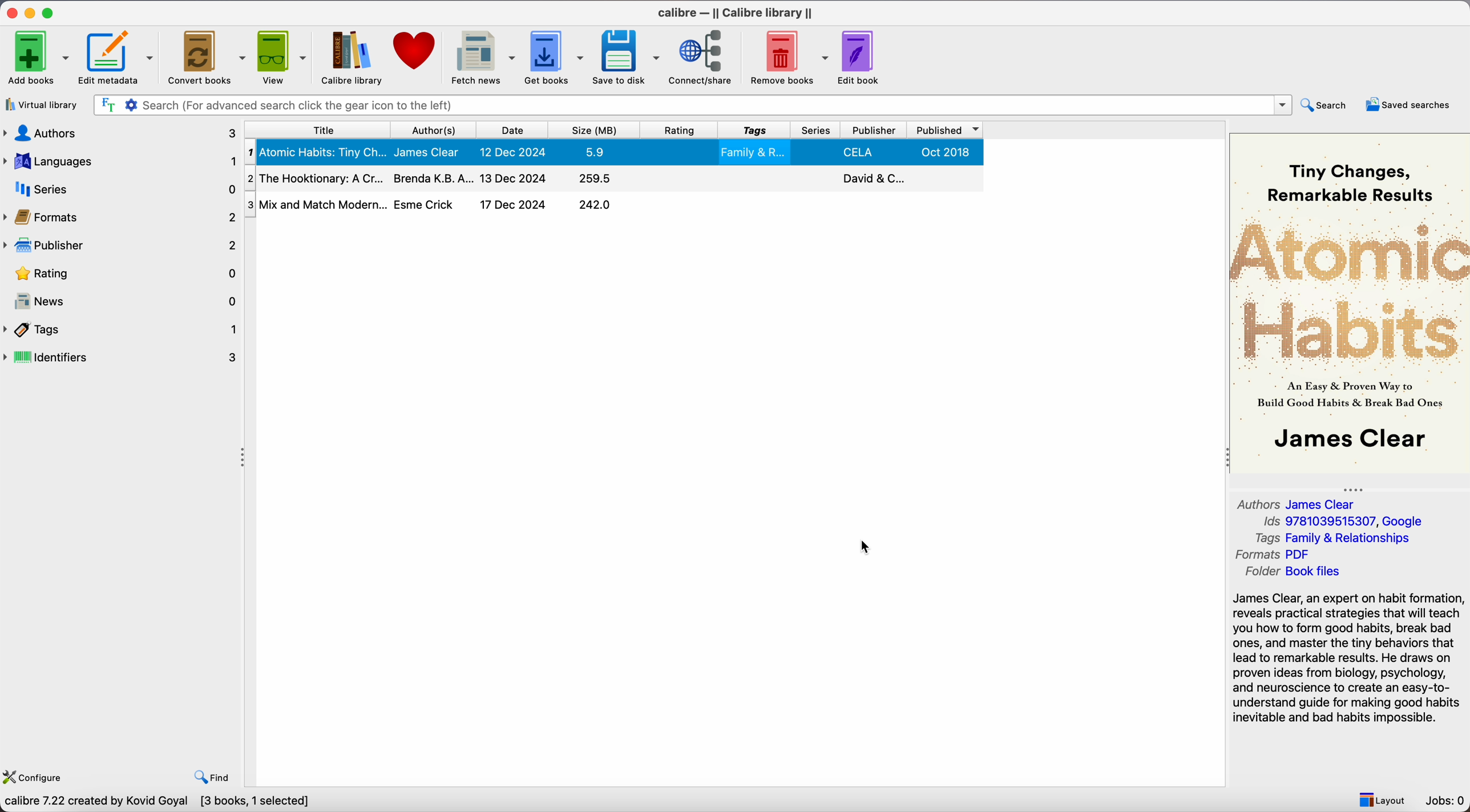 The image size is (1470, 812). What do you see at coordinates (754, 130) in the screenshot?
I see `tags` at bounding box center [754, 130].